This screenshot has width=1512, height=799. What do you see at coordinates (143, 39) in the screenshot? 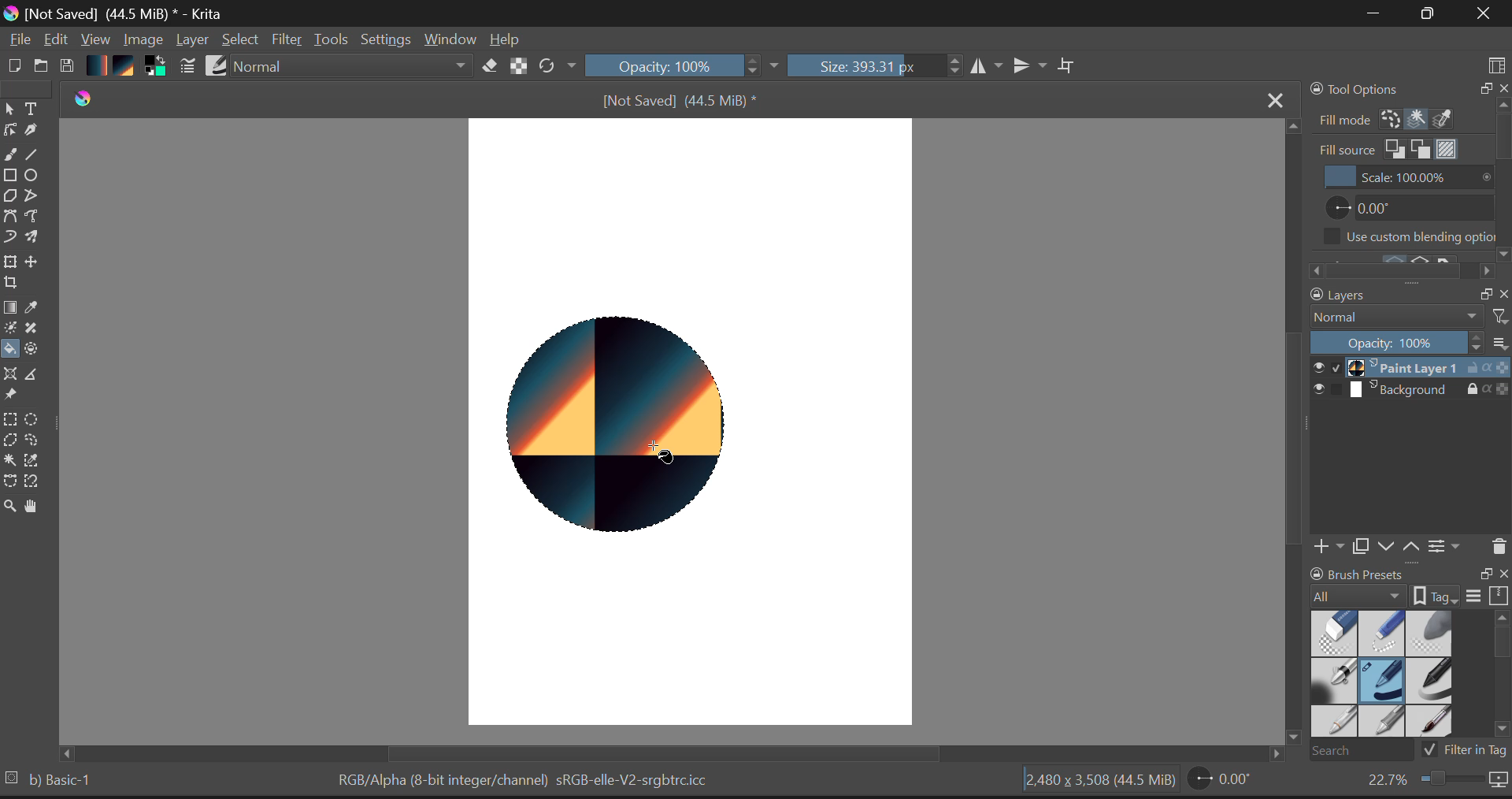
I see `Image` at bounding box center [143, 39].